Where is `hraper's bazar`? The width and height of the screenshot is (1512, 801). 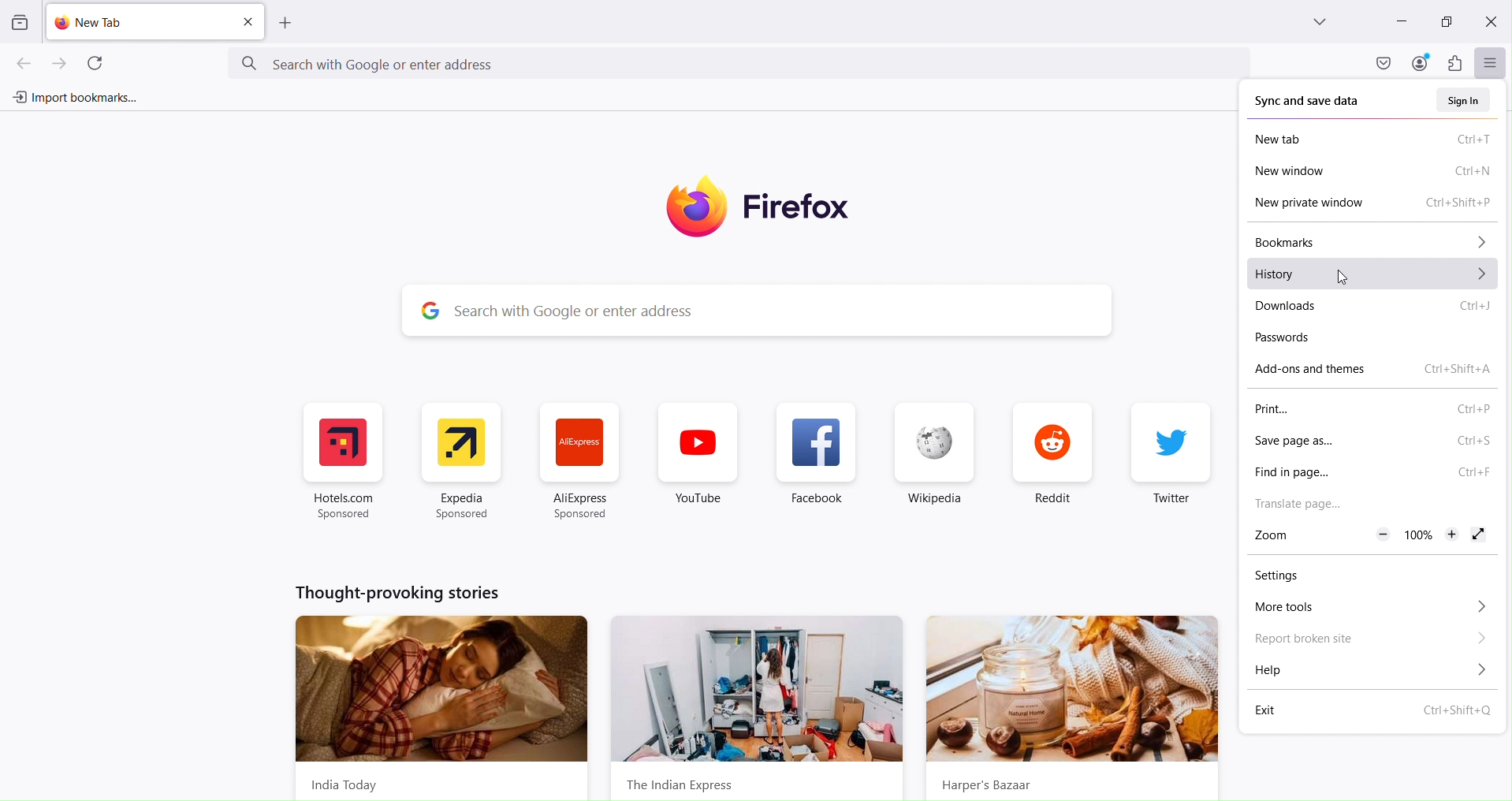
hraper's bazar is located at coordinates (1073, 708).